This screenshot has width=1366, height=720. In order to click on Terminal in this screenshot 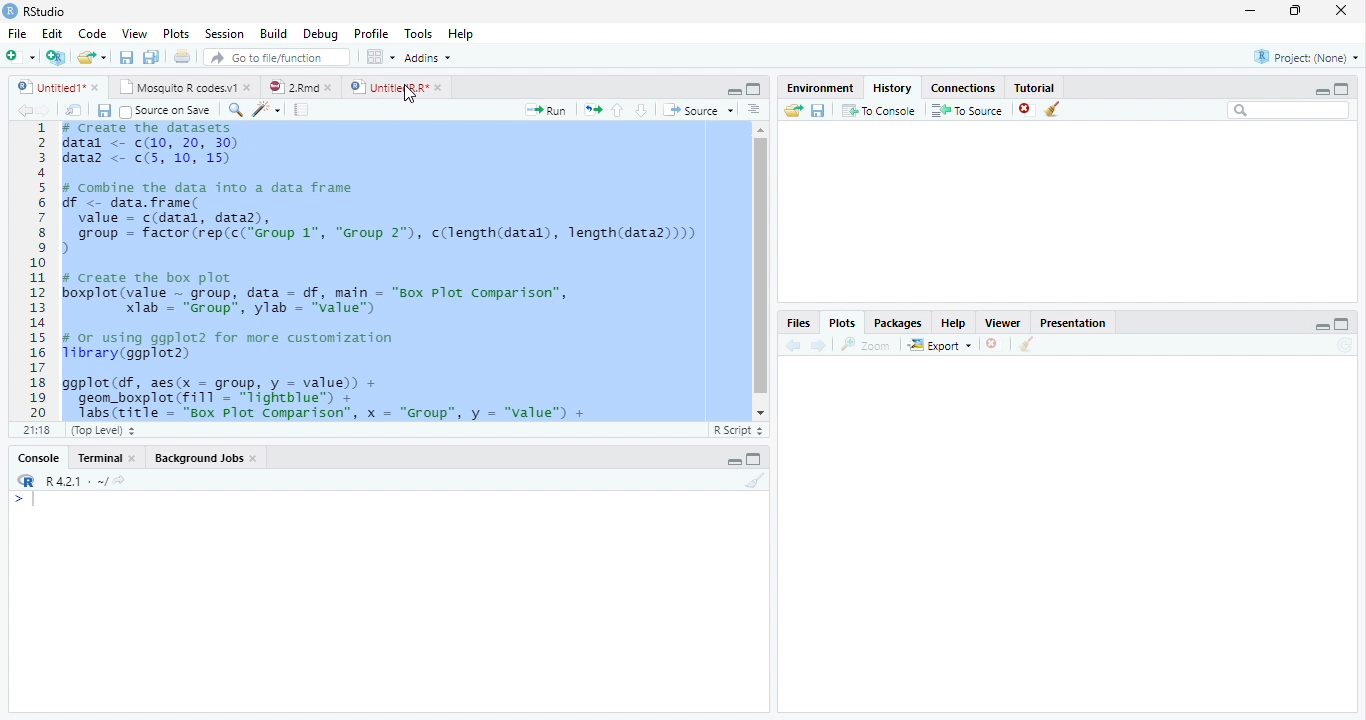, I will do `click(95, 458)`.